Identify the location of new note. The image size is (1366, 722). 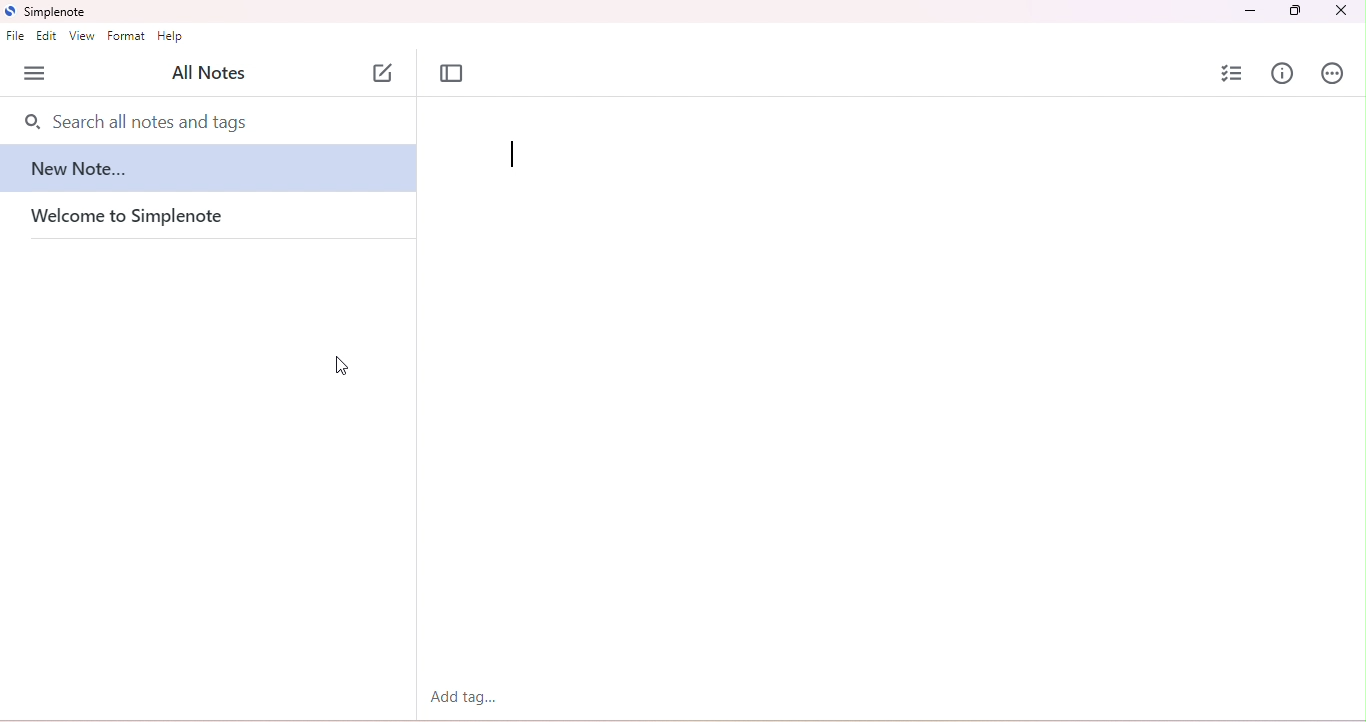
(384, 73).